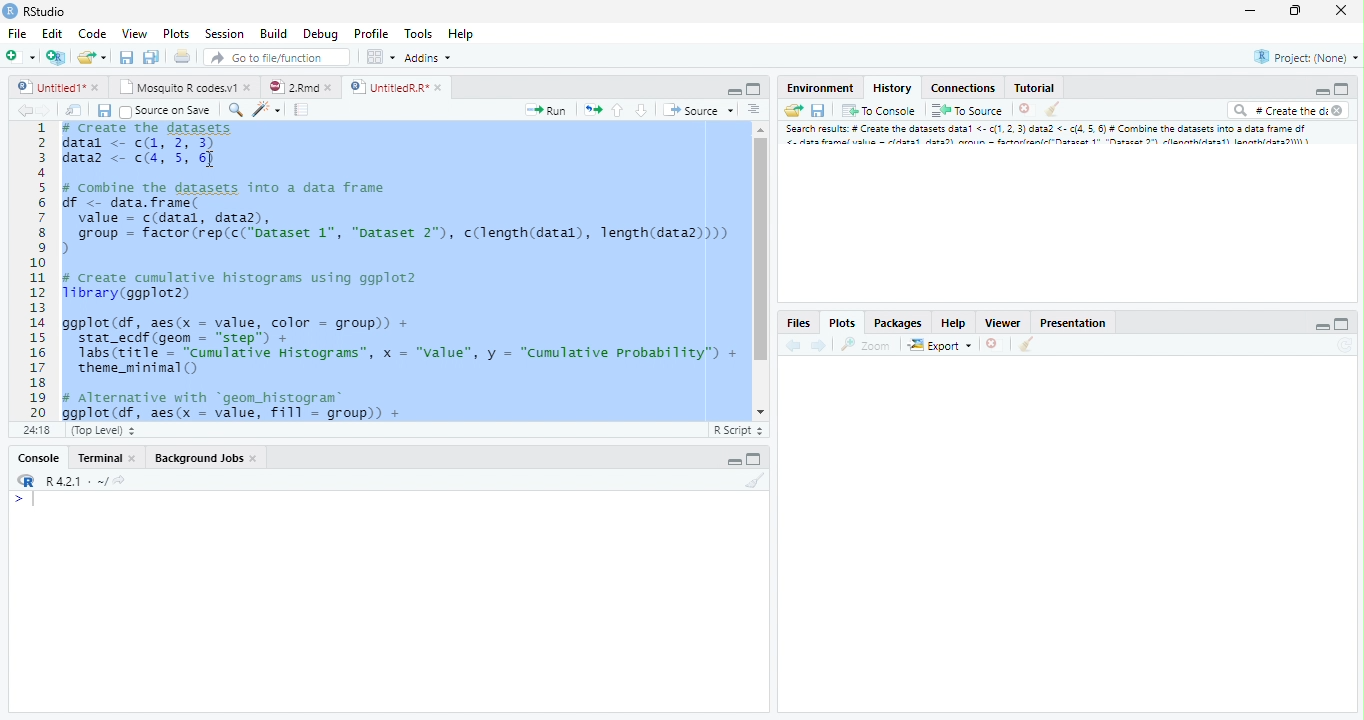  I want to click on Go to the previous section, so click(619, 113).